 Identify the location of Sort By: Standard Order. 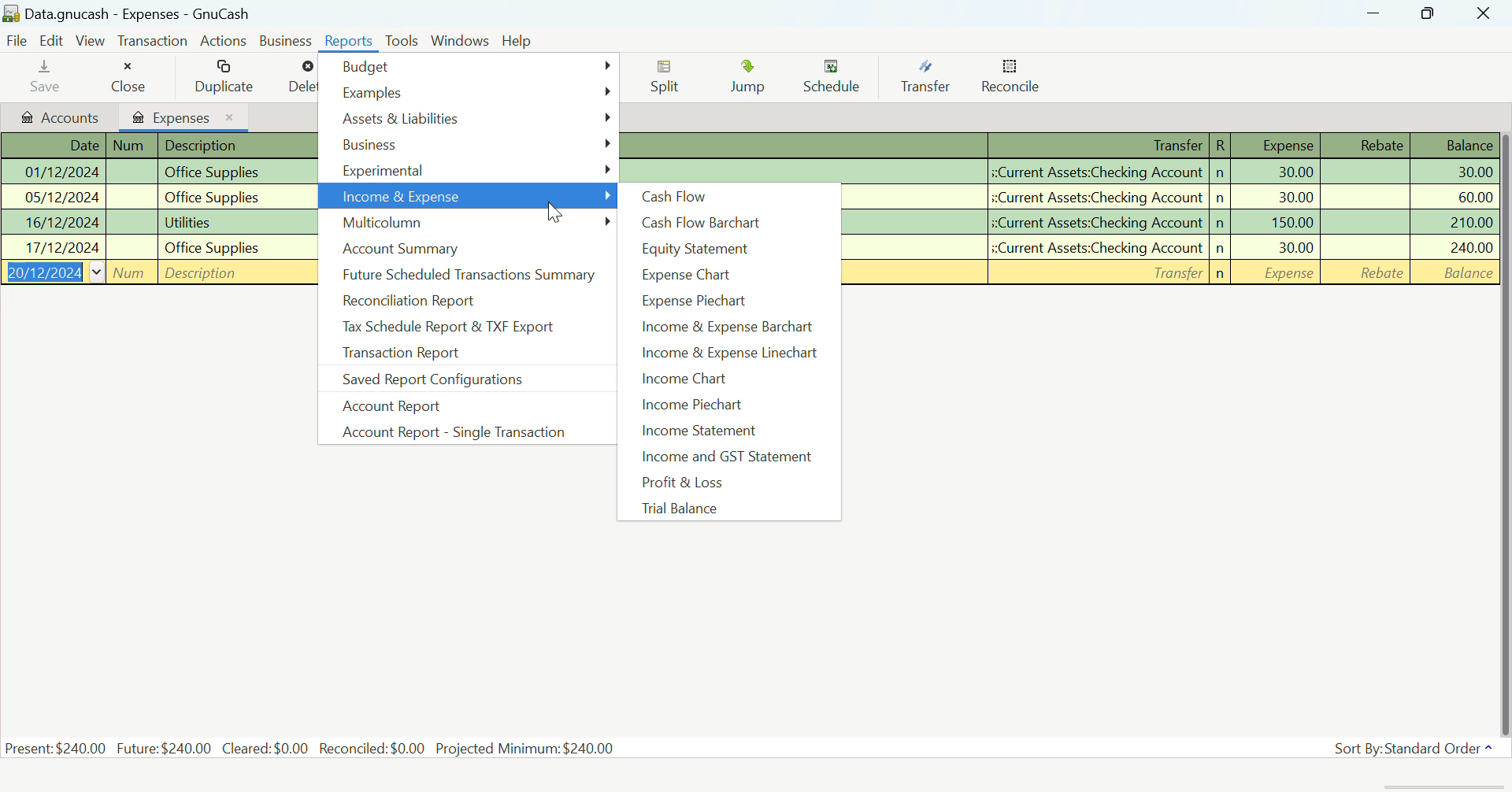
(1405, 749).